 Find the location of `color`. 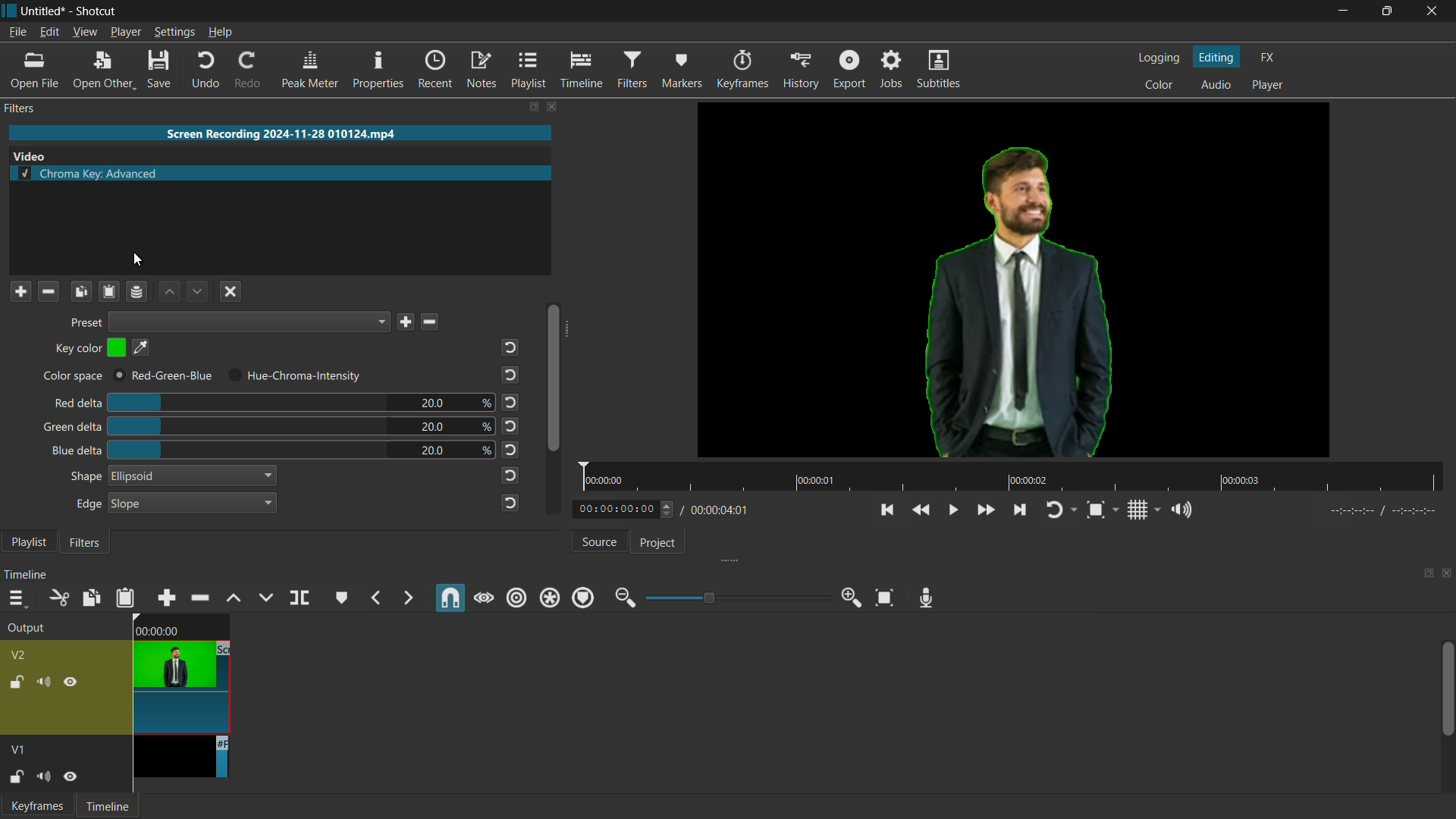

color is located at coordinates (1158, 86).